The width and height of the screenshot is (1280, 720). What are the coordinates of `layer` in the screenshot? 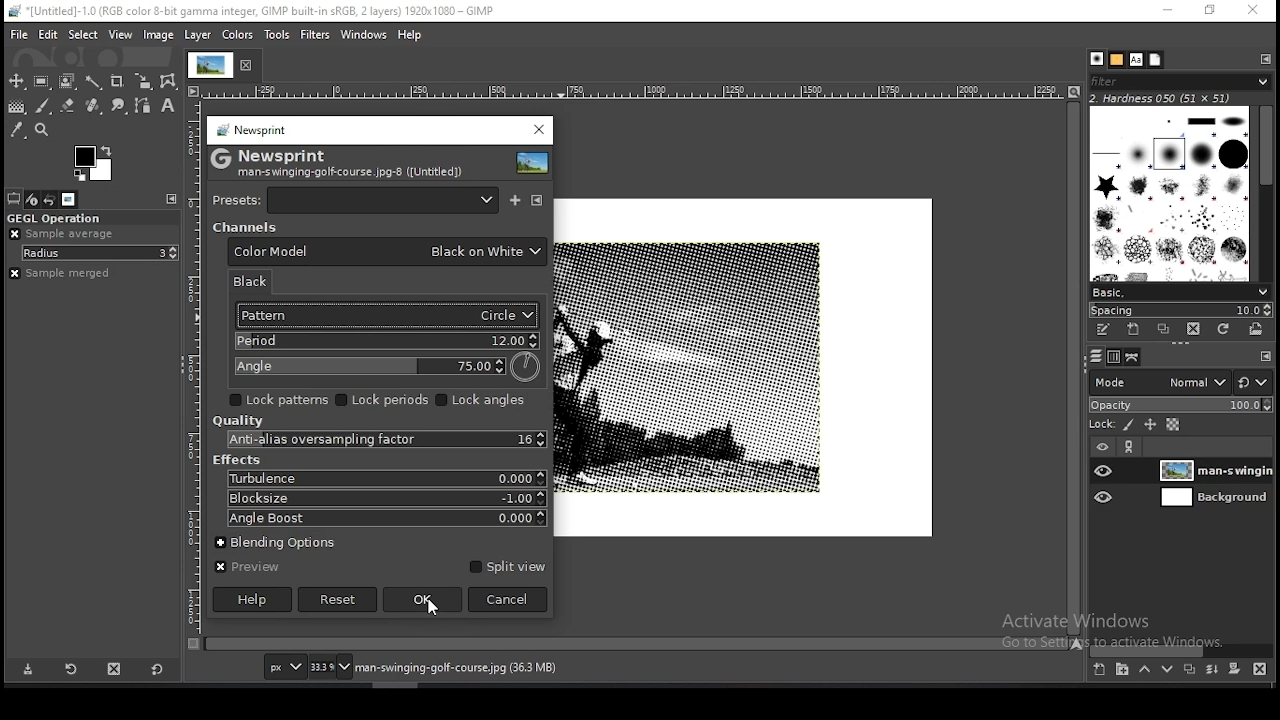 It's located at (1214, 470).